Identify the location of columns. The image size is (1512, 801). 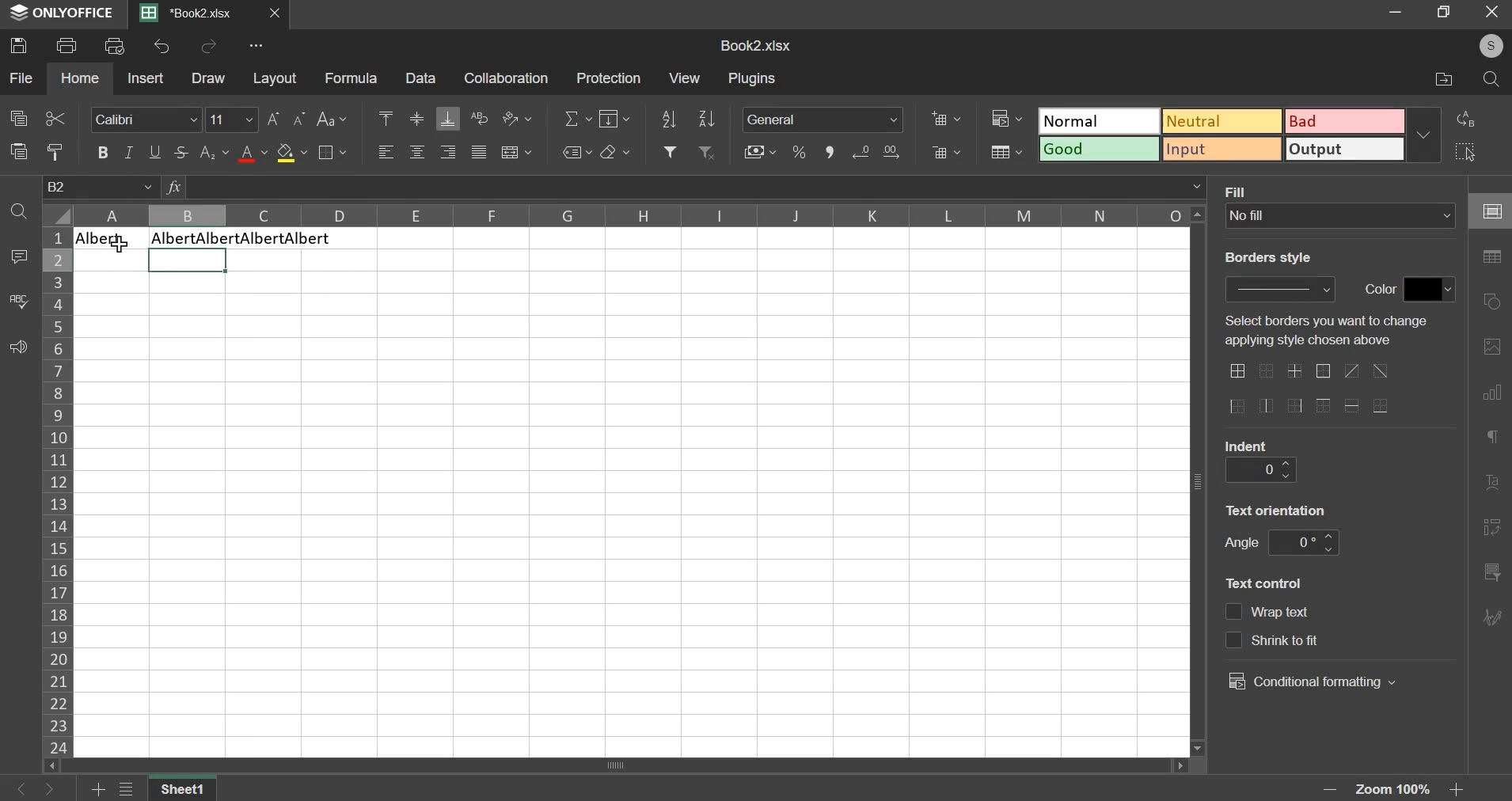
(630, 215).